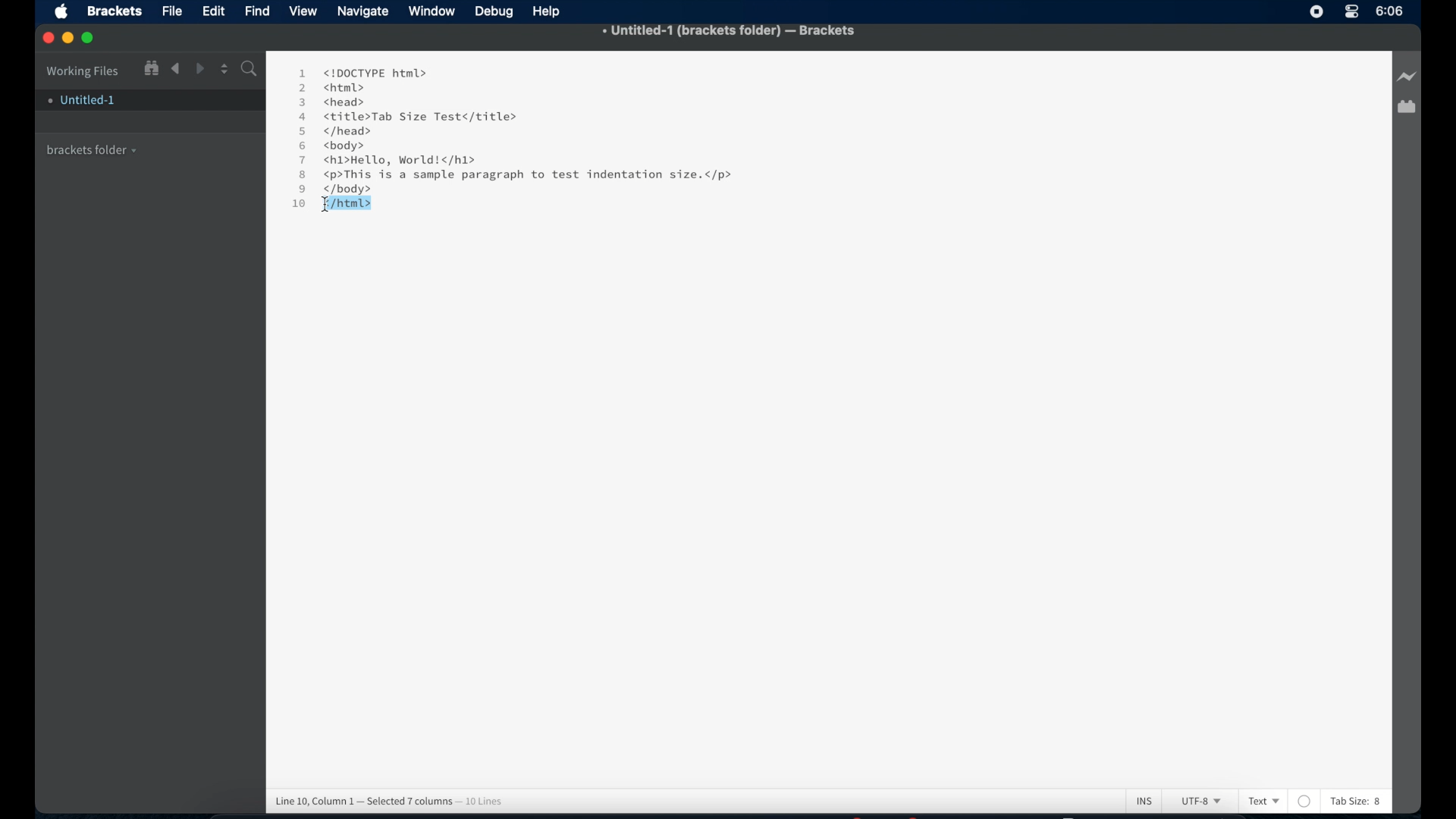  I want to click on Debug, so click(496, 12).